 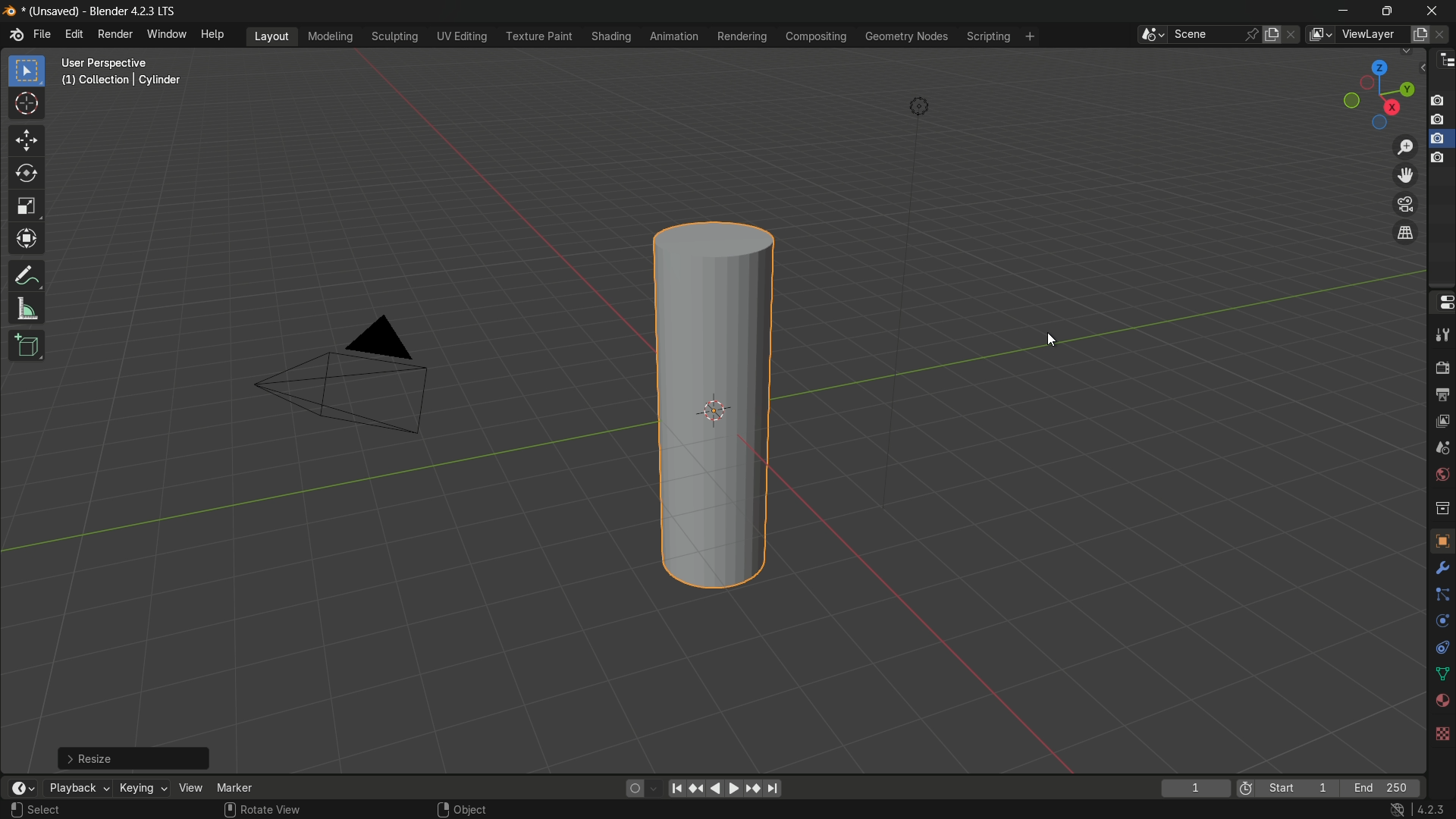 What do you see at coordinates (1441, 623) in the screenshot?
I see `physics` at bounding box center [1441, 623].